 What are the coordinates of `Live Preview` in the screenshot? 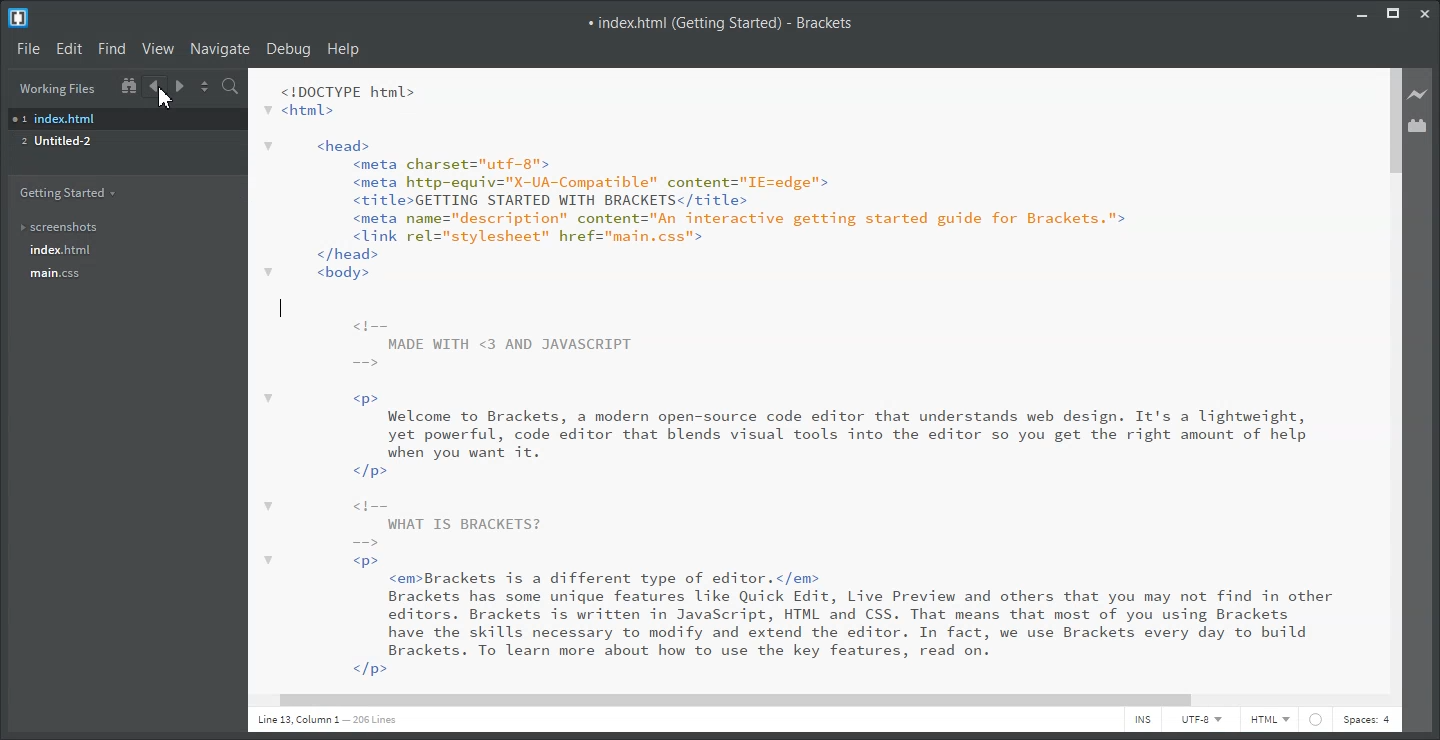 It's located at (1421, 94).